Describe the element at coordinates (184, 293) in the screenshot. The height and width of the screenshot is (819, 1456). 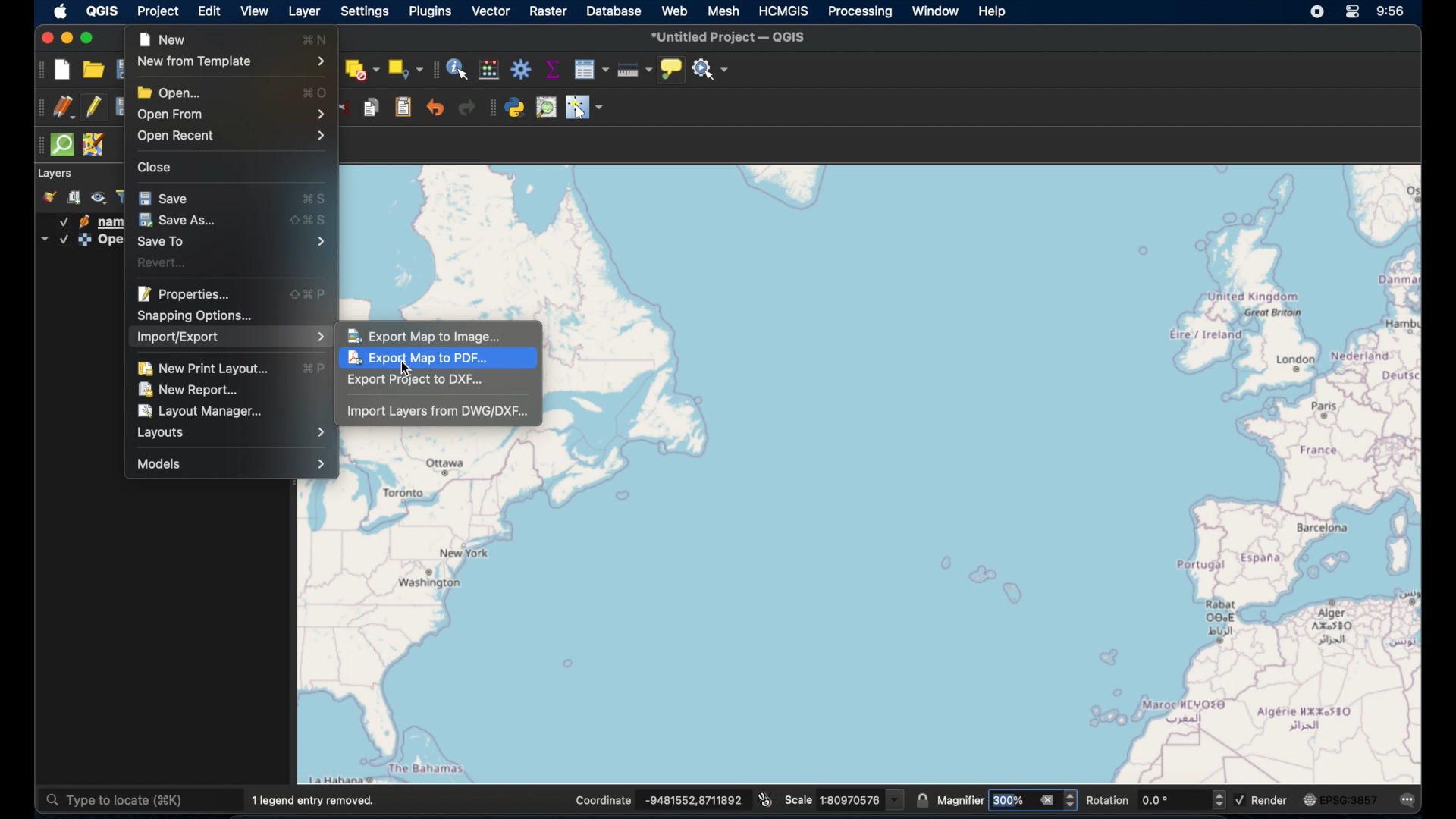
I see `properties` at that location.